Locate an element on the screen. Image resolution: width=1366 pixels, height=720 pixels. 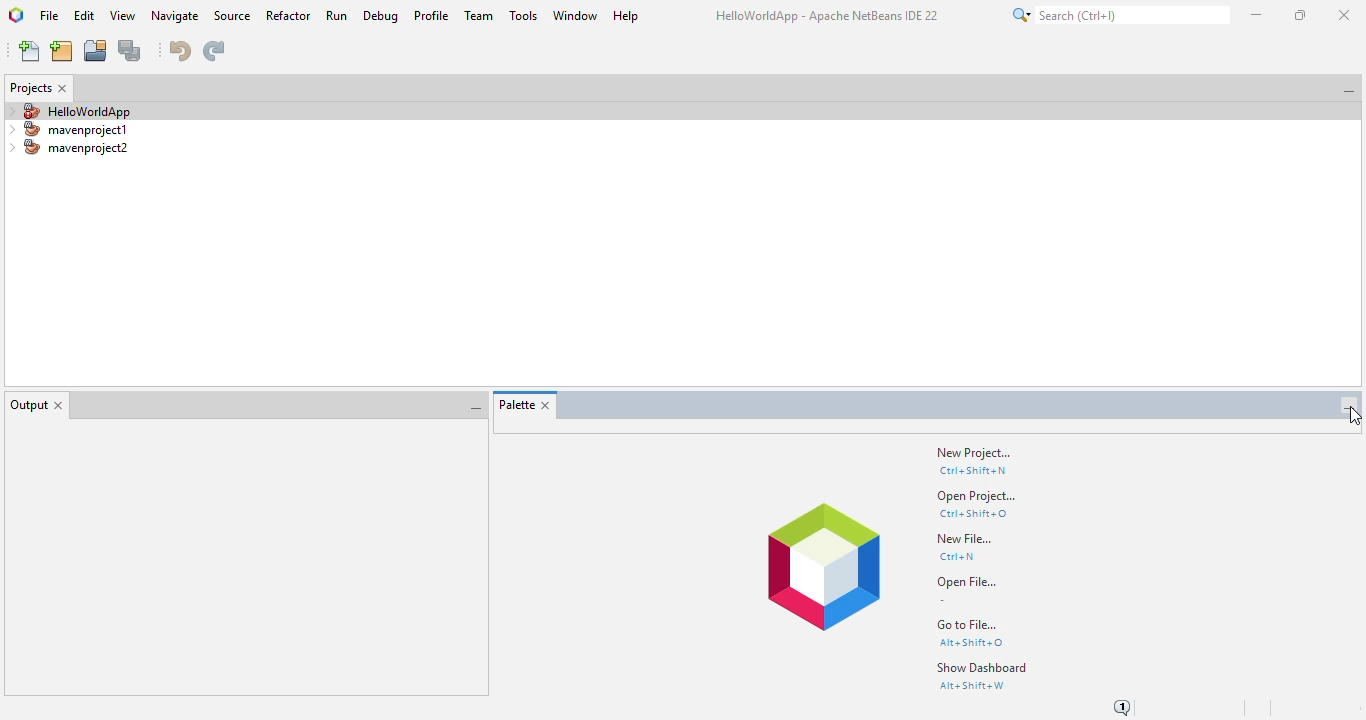
tools is located at coordinates (524, 15).